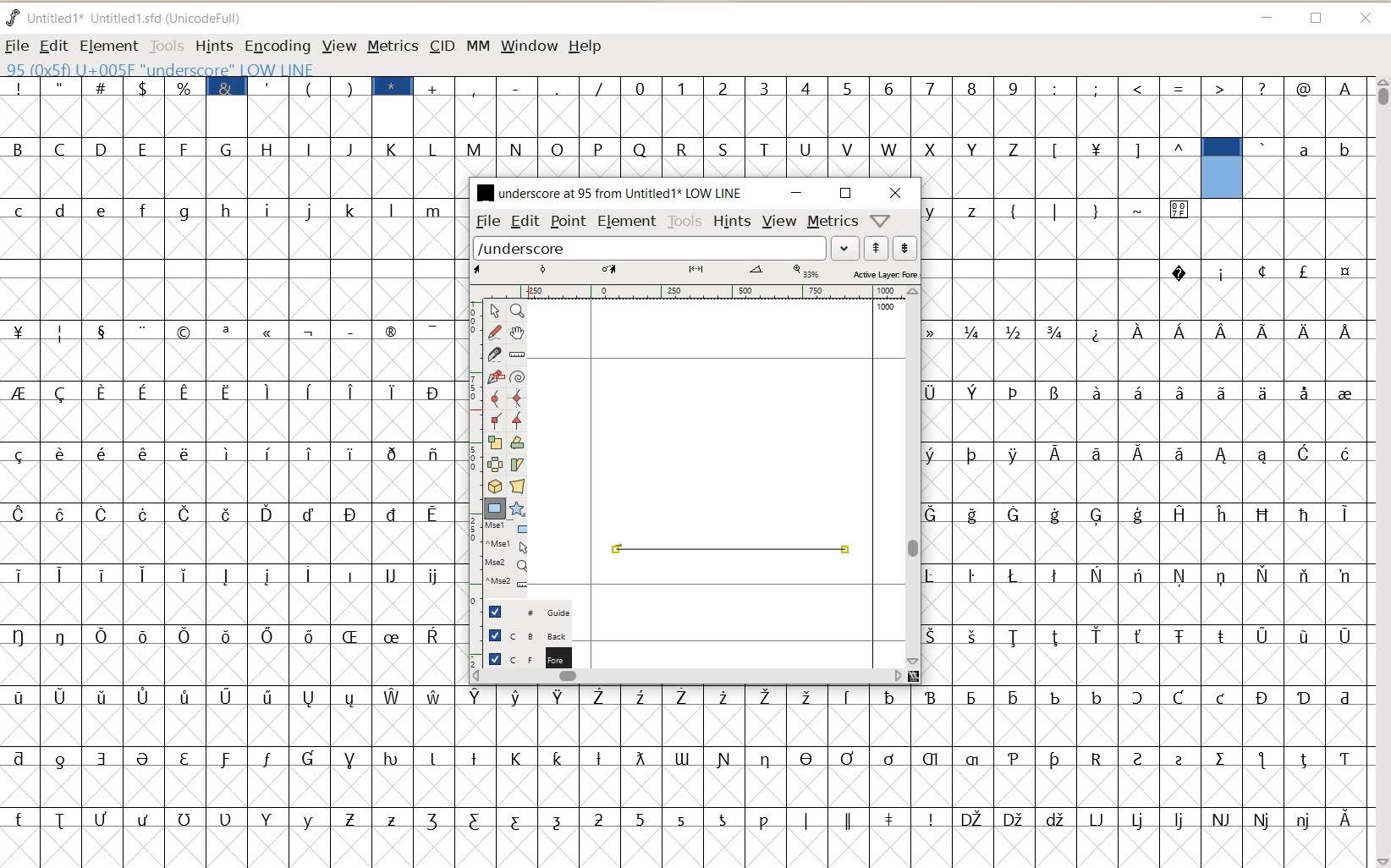  What do you see at coordinates (138, 18) in the screenshot?
I see `FONT NAME` at bounding box center [138, 18].